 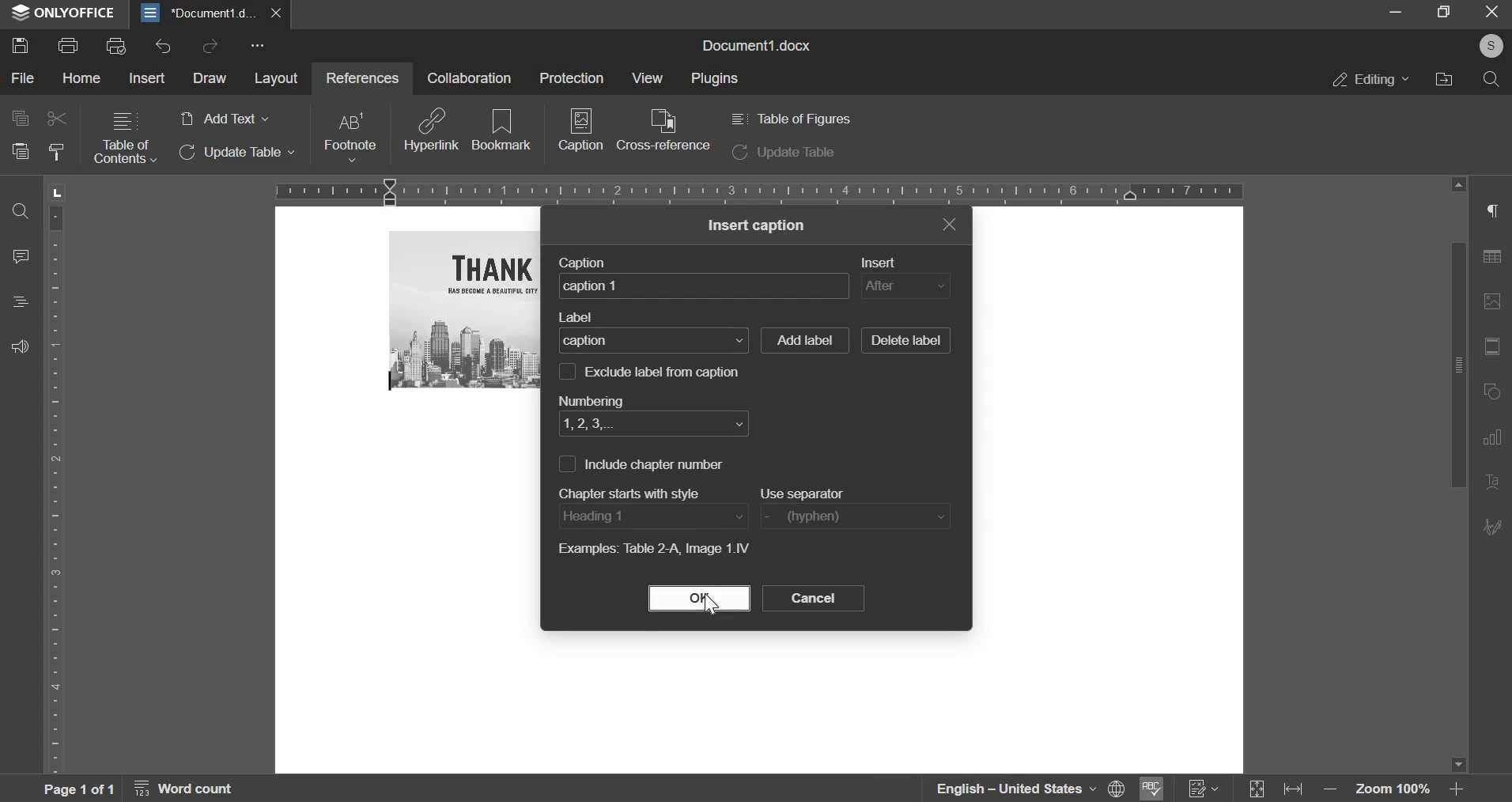 What do you see at coordinates (716, 79) in the screenshot?
I see `plugins` at bounding box center [716, 79].